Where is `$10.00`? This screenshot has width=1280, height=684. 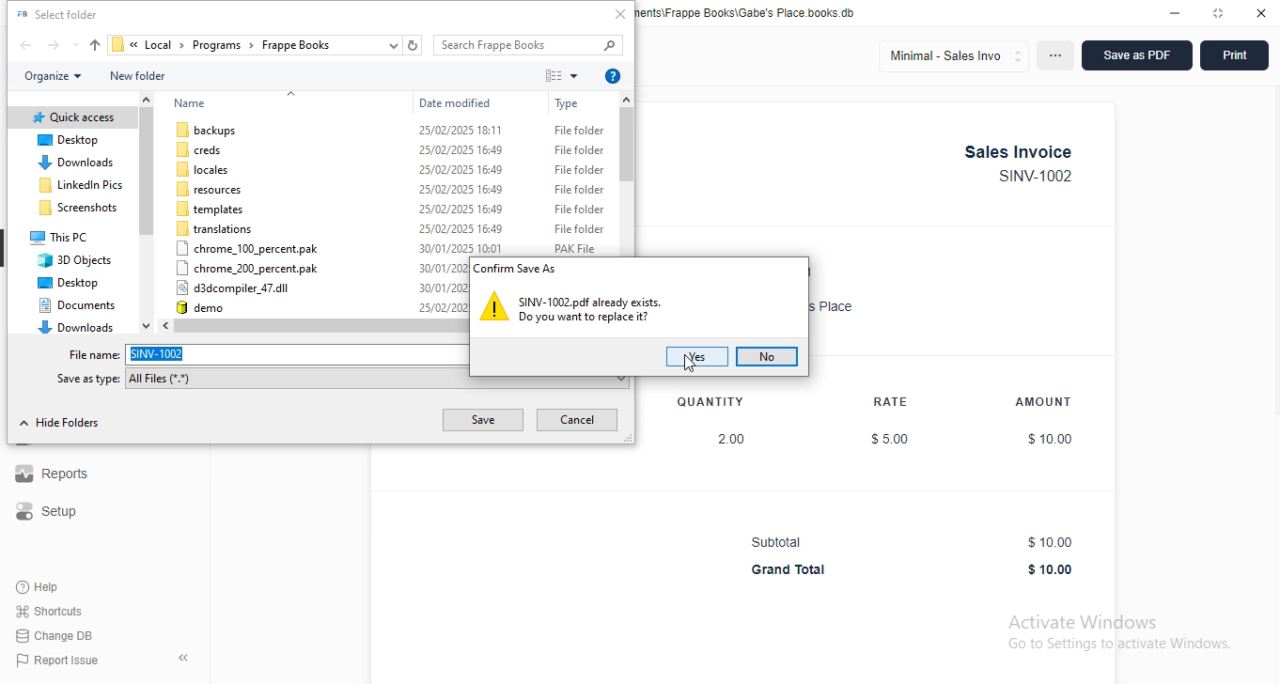 $10.00 is located at coordinates (1051, 542).